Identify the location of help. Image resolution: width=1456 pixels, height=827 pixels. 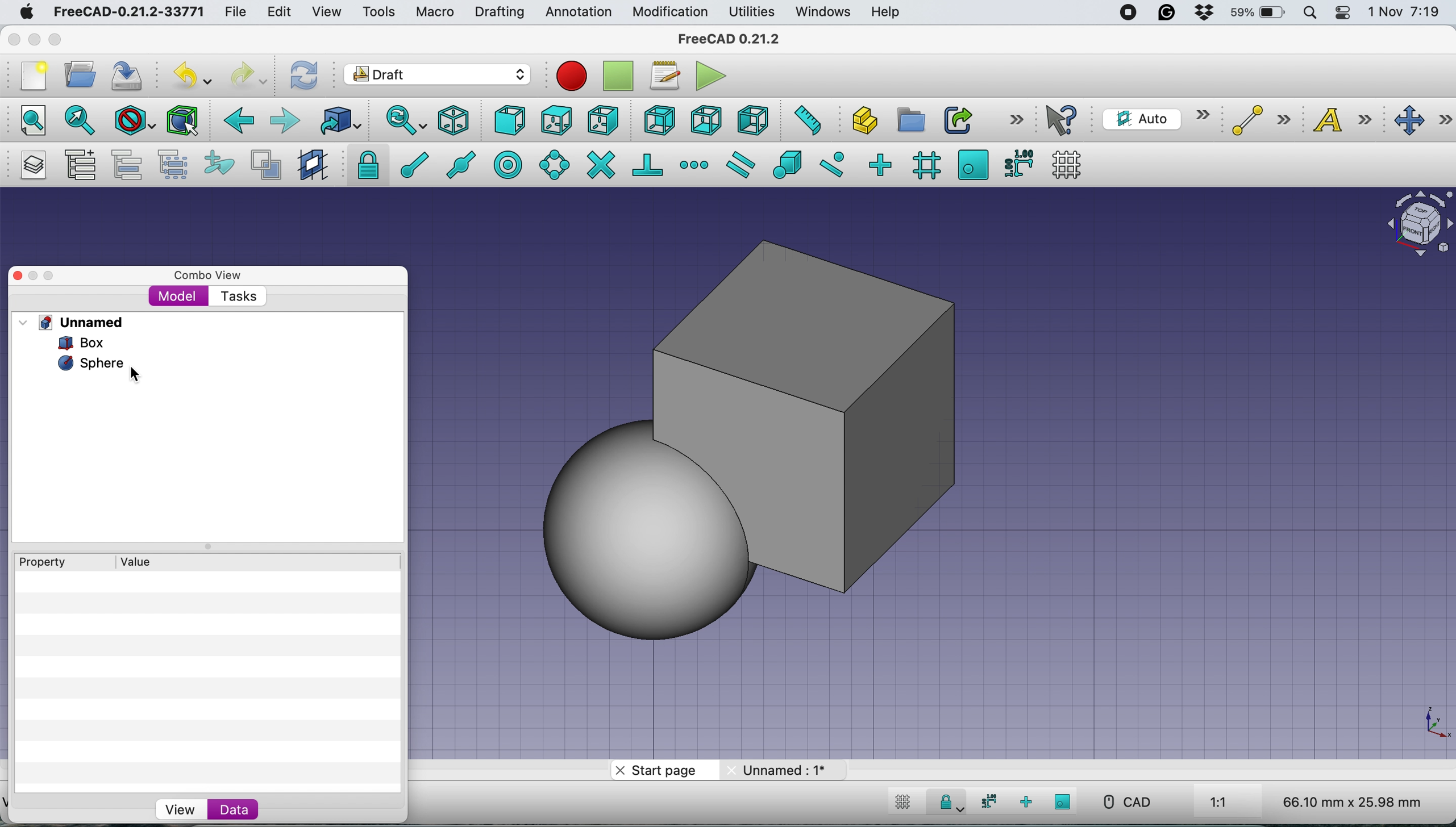
(887, 13).